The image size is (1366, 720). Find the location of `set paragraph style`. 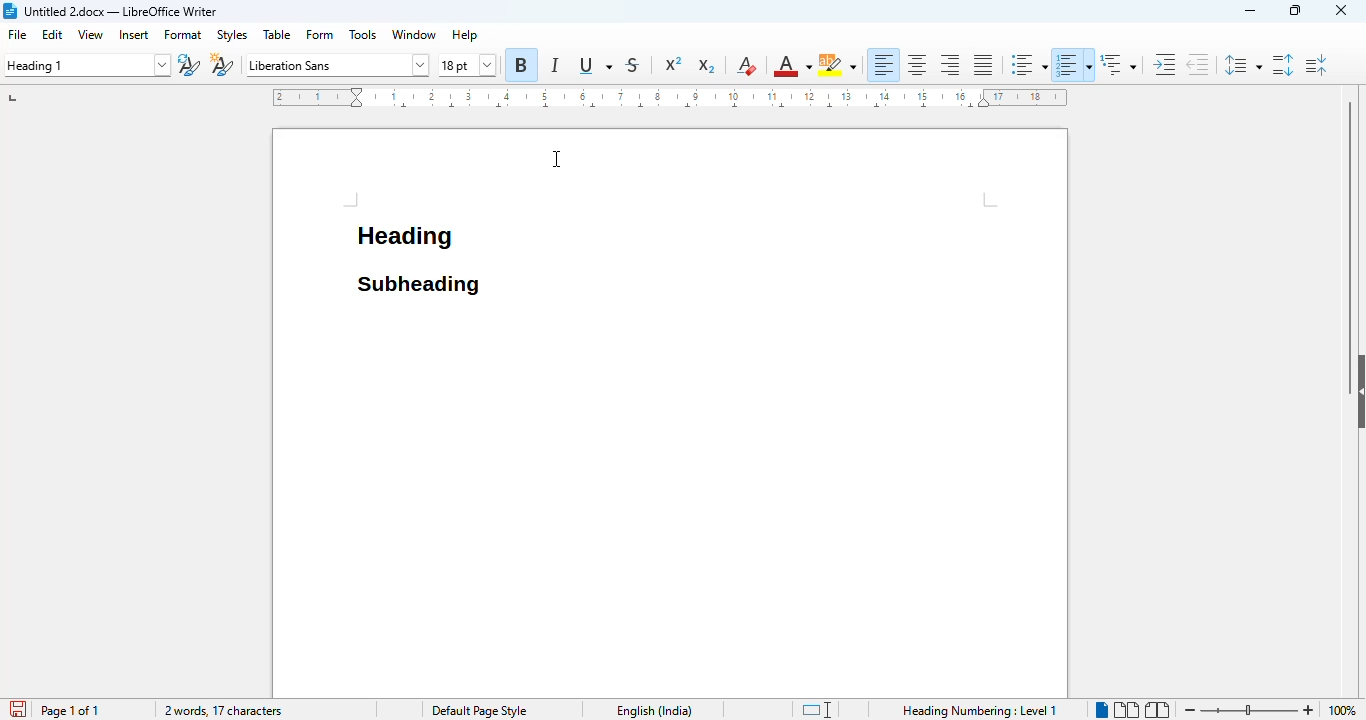

set paragraph style is located at coordinates (86, 65).